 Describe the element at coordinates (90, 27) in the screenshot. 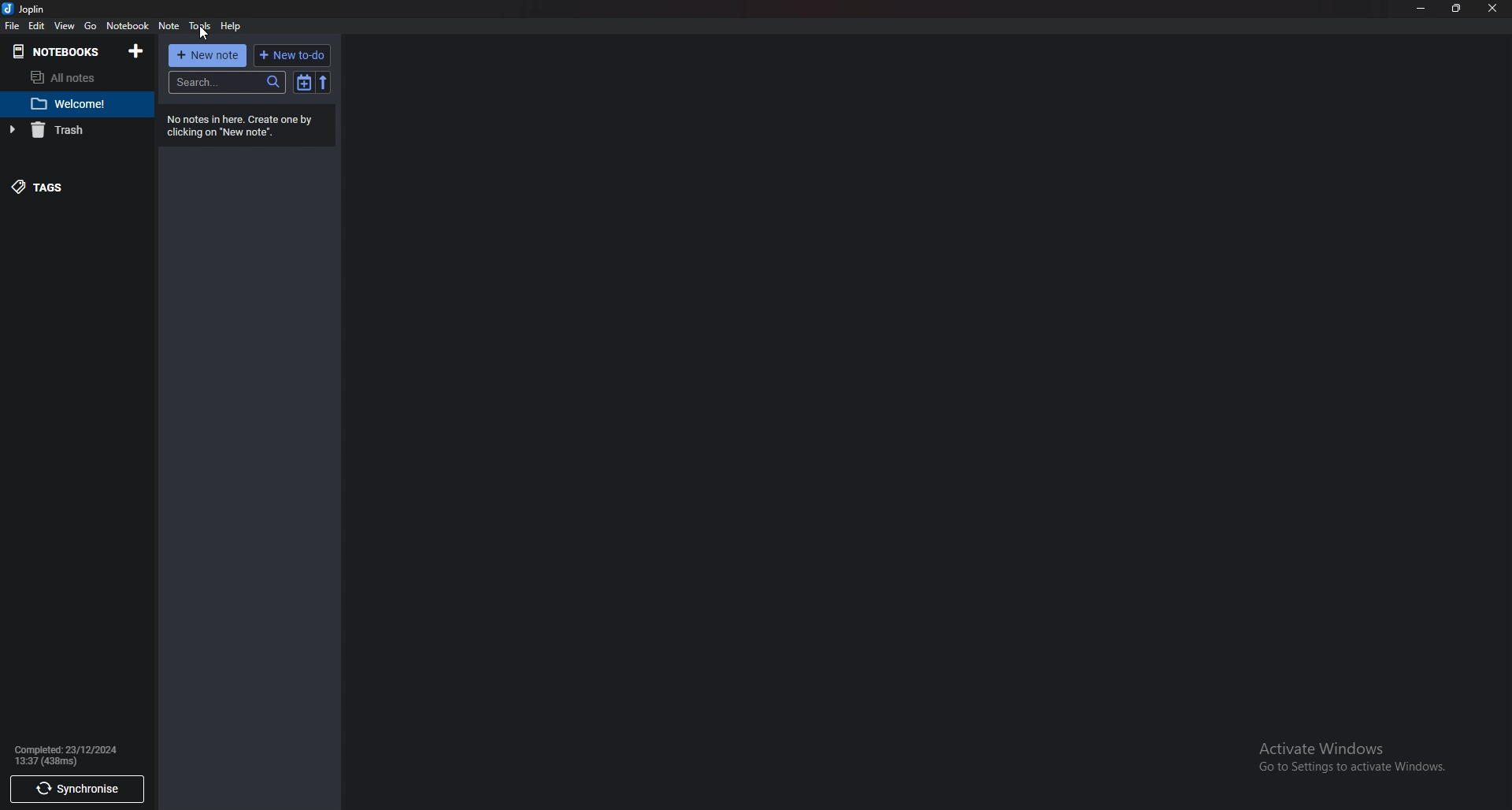

I see `Go` at that location.